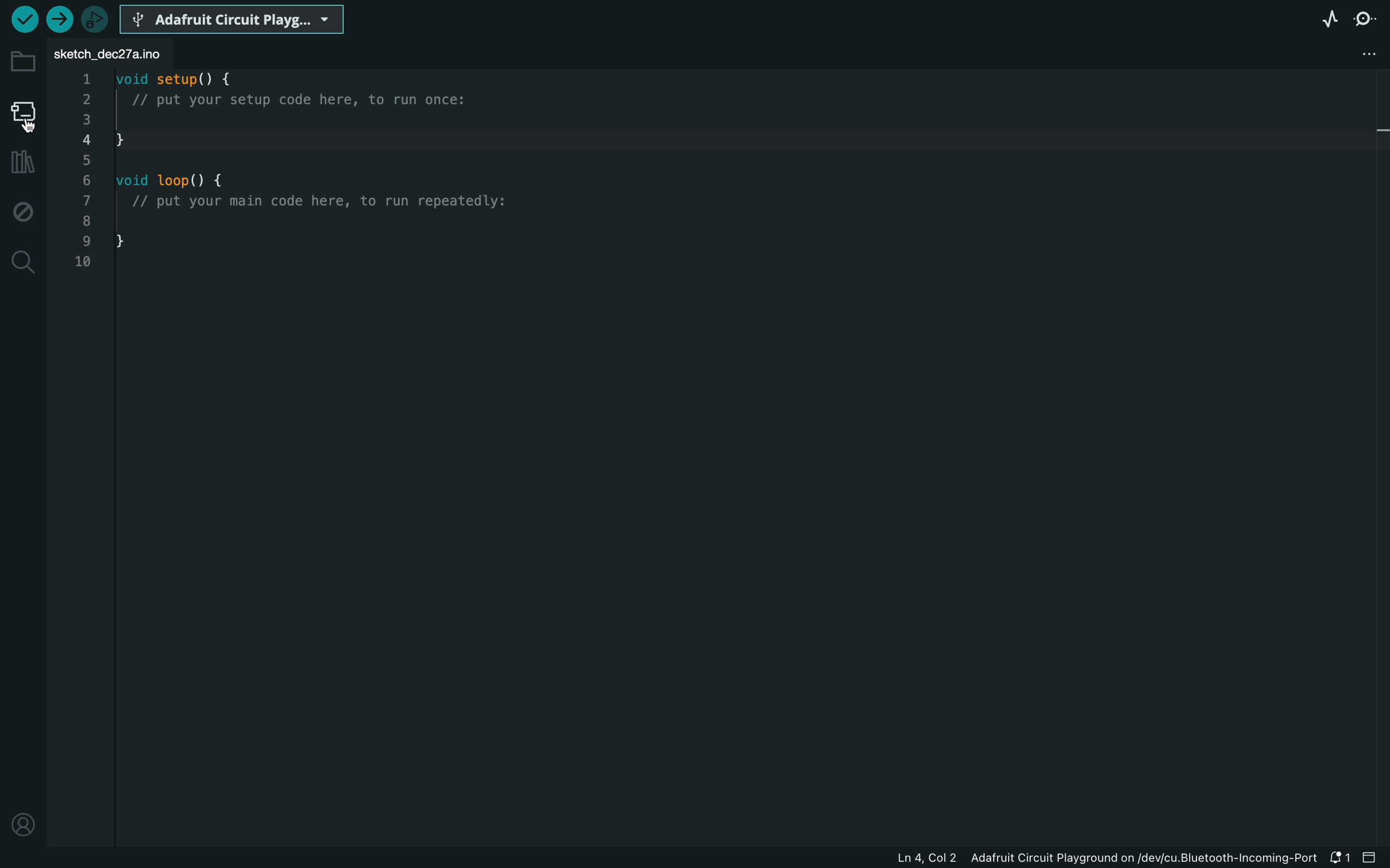 Image resolution: width=1390 pixels, height=868 pixels. I want to click on upload, so click(60, 20).